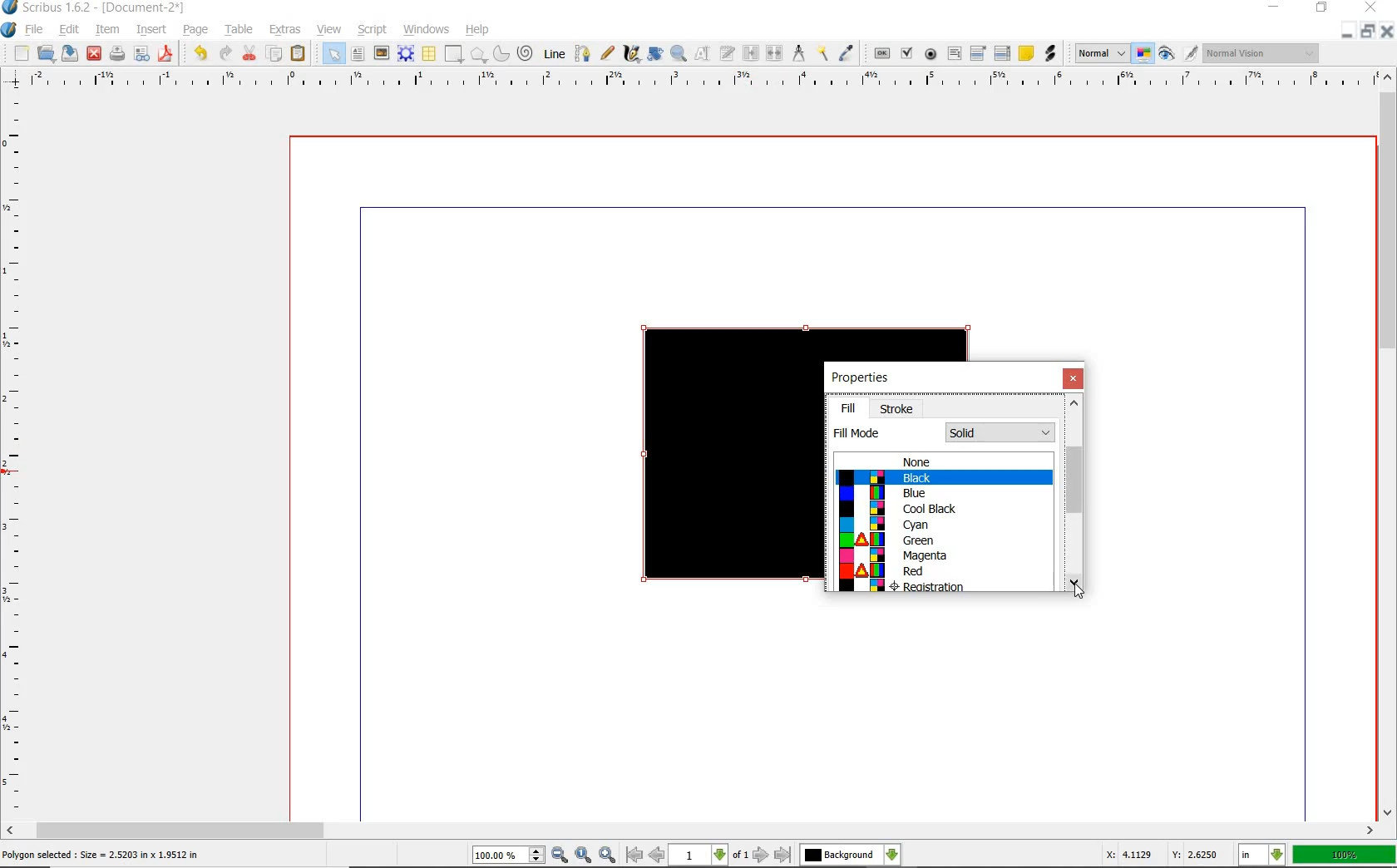 This screenshot has width=1397, height=868. Describe the element at coordinates (727, 55) in the screenshot. I see `edit text with story editor` at that location.